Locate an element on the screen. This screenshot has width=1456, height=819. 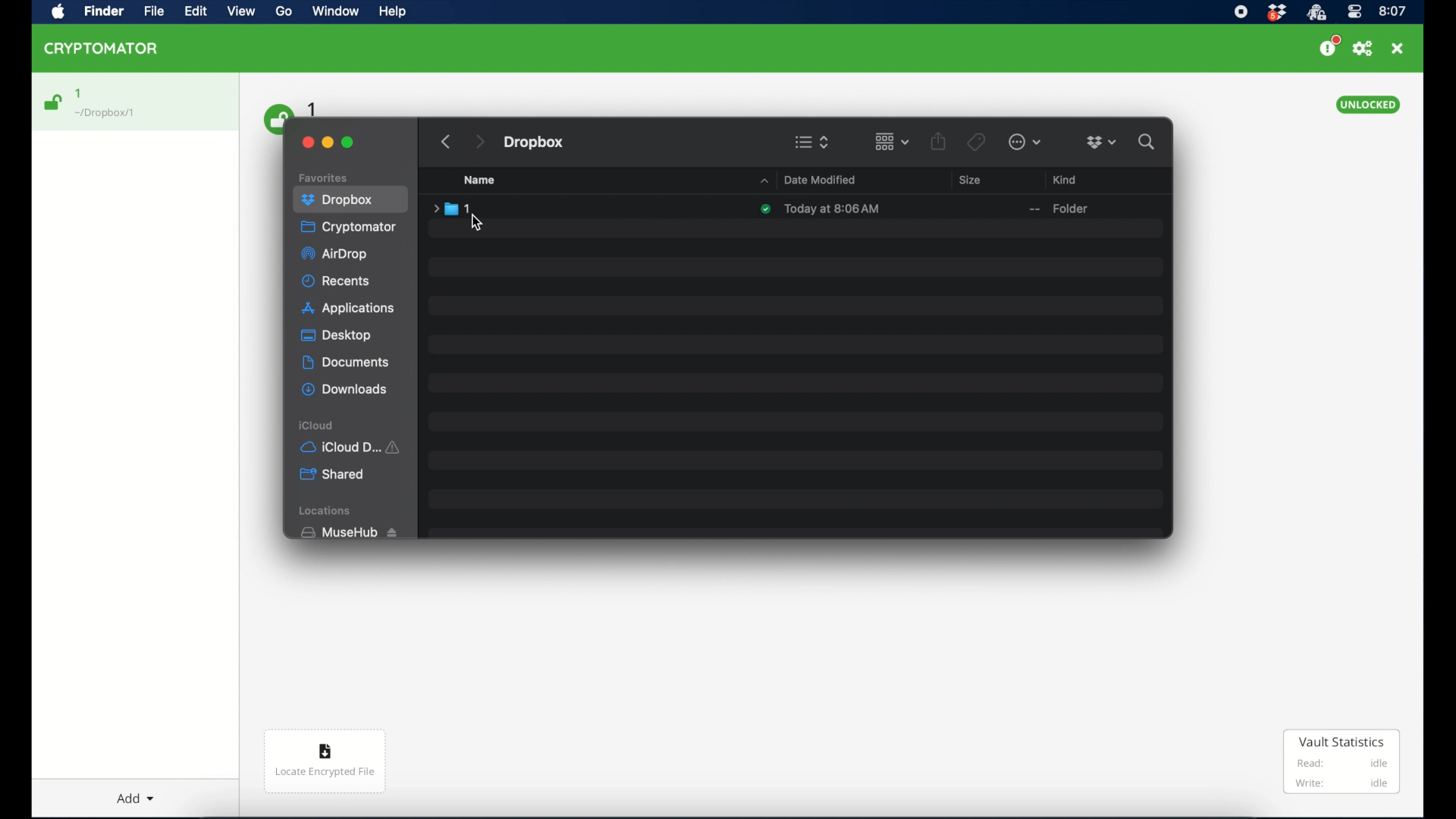
date is located at coordinates (834, 209).